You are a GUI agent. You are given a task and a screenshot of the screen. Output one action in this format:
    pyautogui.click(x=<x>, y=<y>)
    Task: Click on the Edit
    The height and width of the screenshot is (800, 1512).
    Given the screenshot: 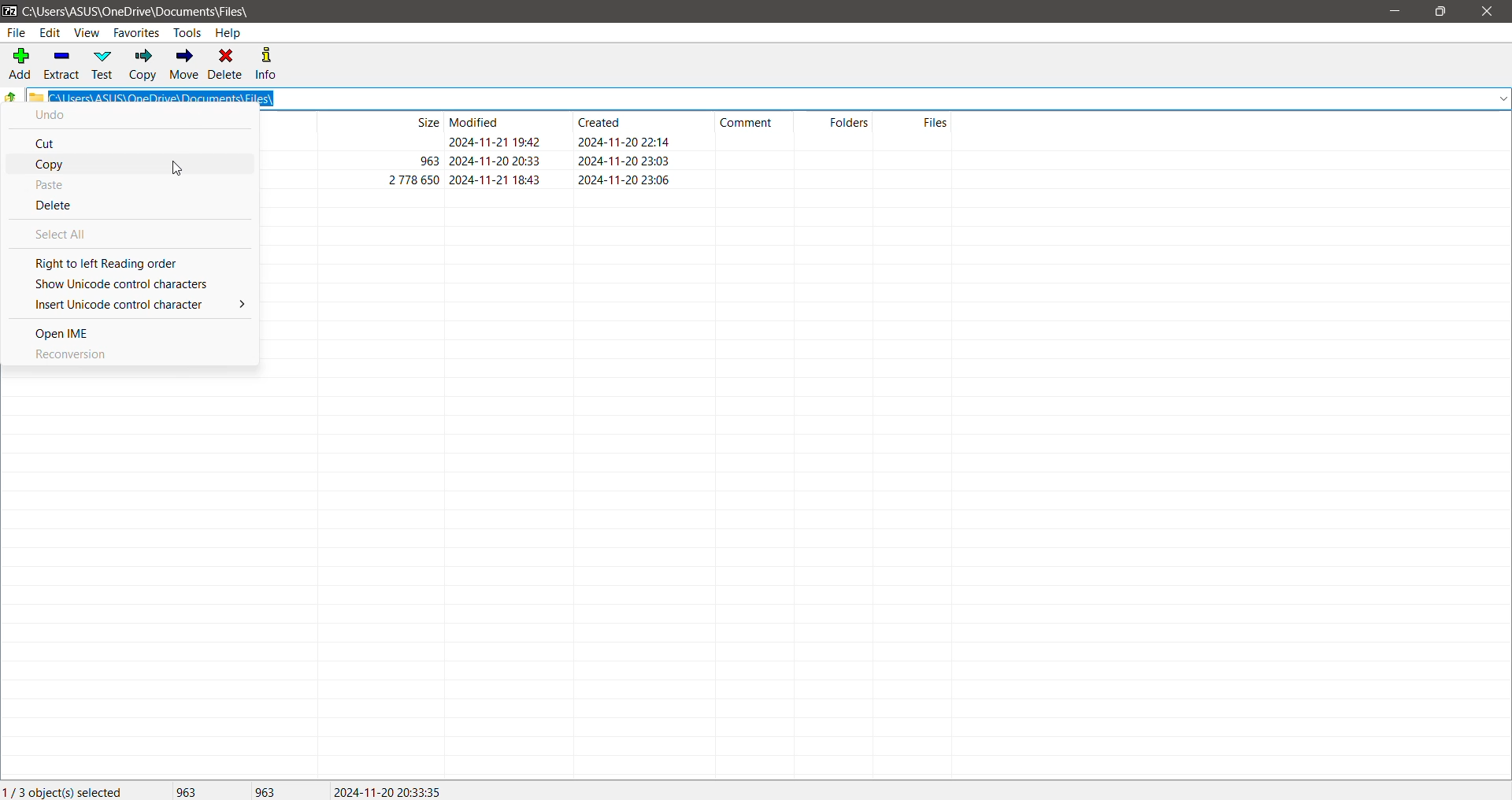 What is the action you would take?
    pyautogui.click(x=50, y=33)
    